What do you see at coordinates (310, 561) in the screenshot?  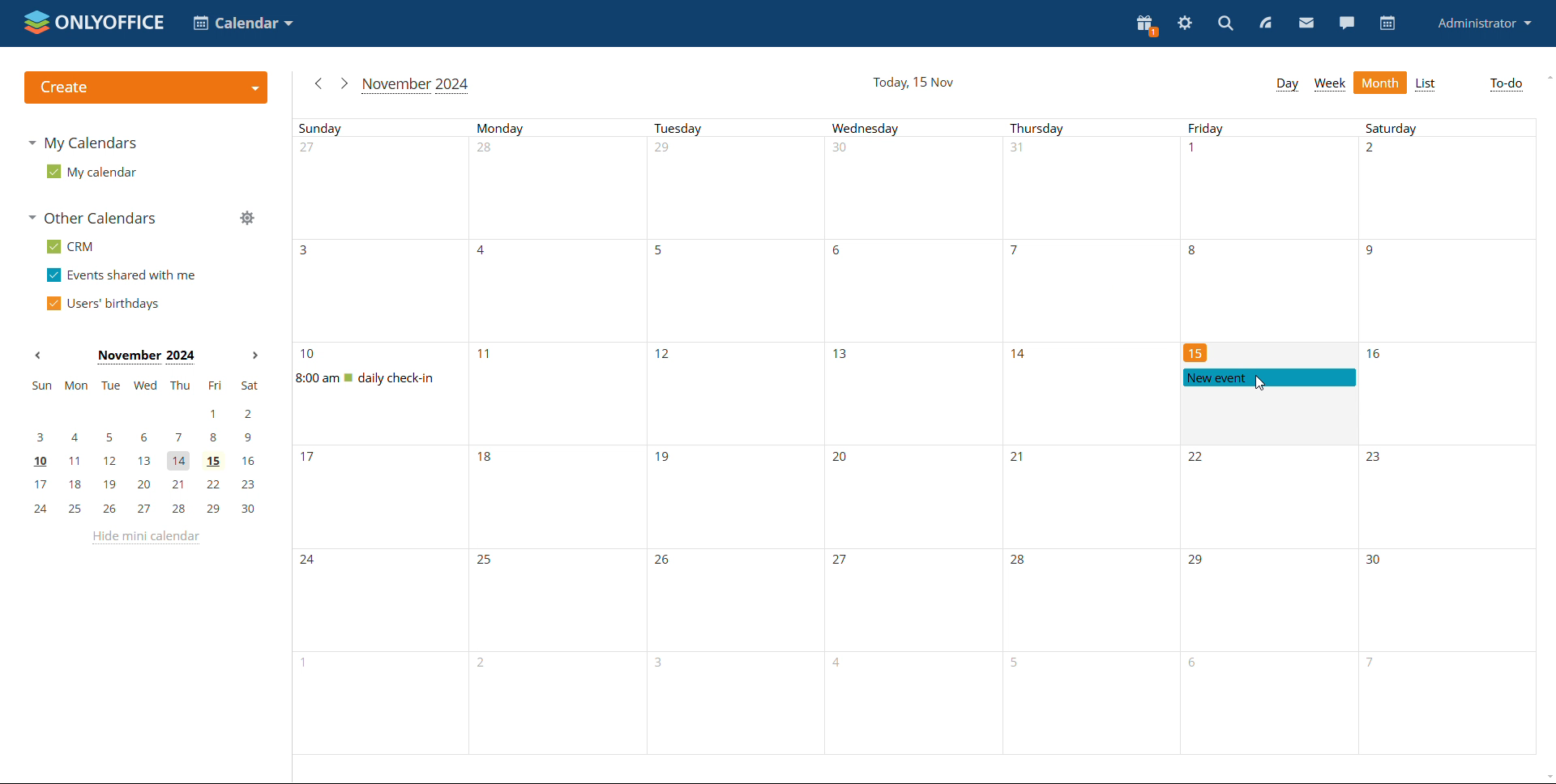 I see `` at bounding box center [310, 561].